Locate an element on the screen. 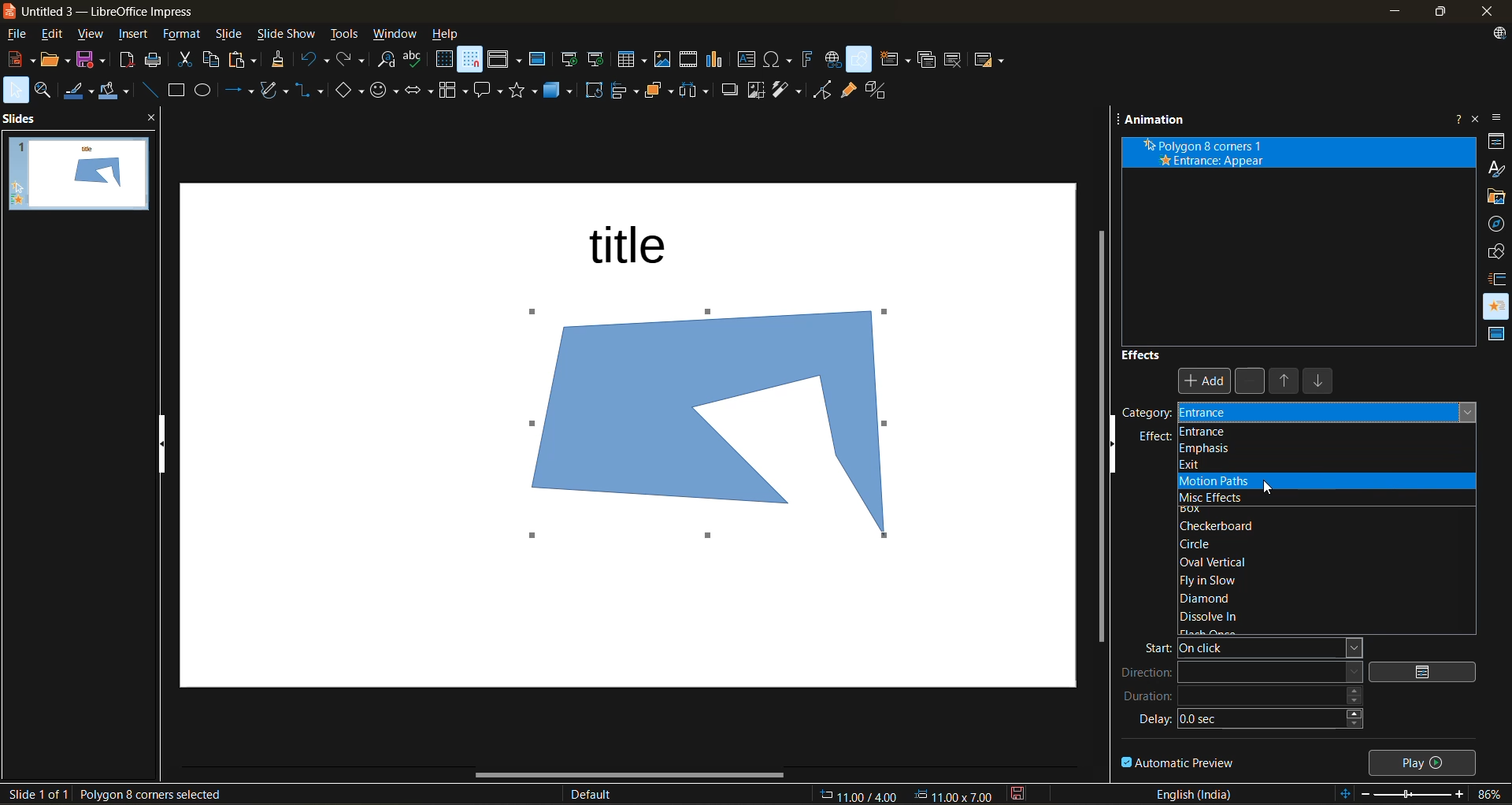 This screenshot has width=1512, height=805. close pane is located at coordinates (157, 120).